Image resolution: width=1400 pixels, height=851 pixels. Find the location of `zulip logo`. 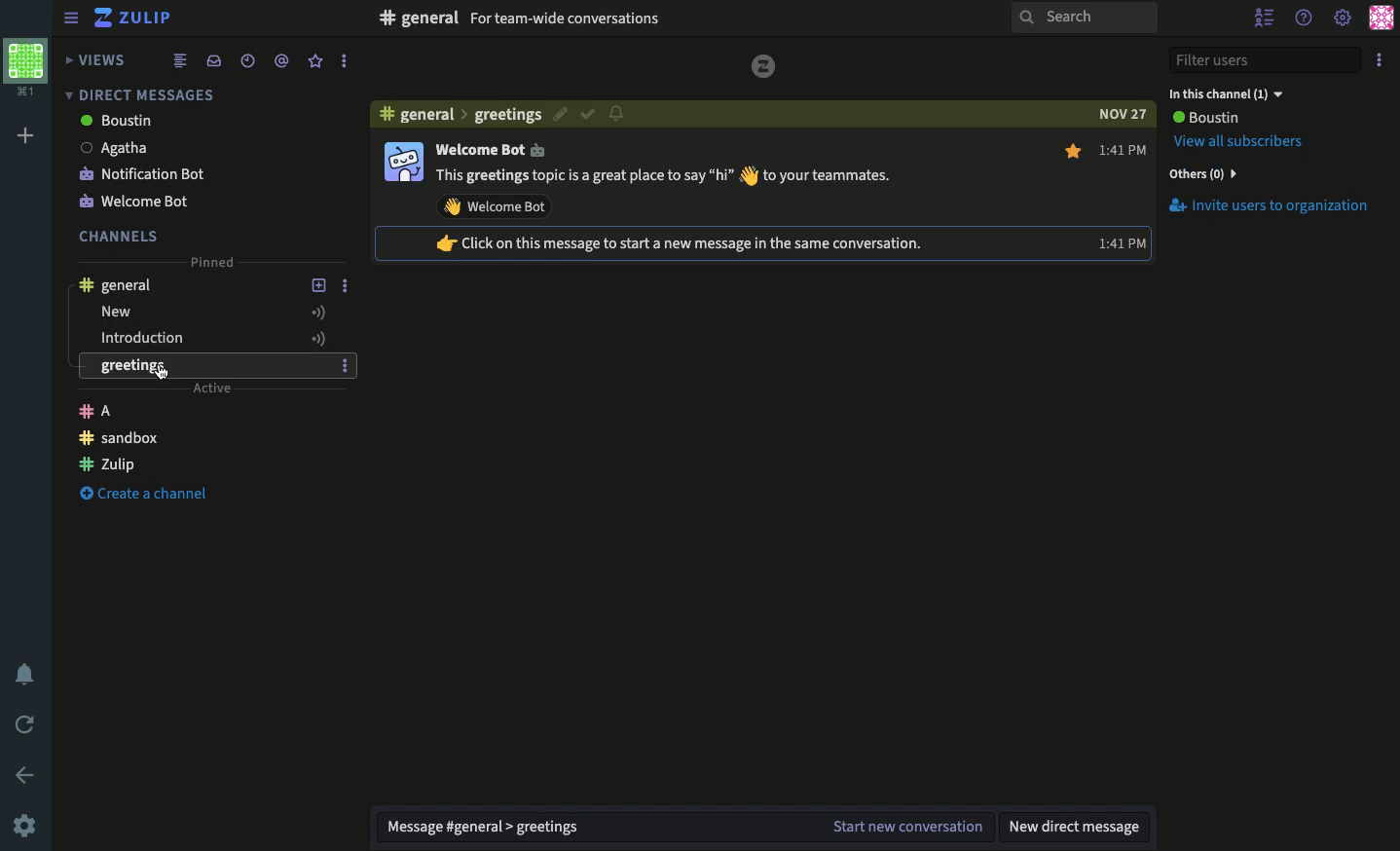

zulip logo is located at coordinates (764, 66).